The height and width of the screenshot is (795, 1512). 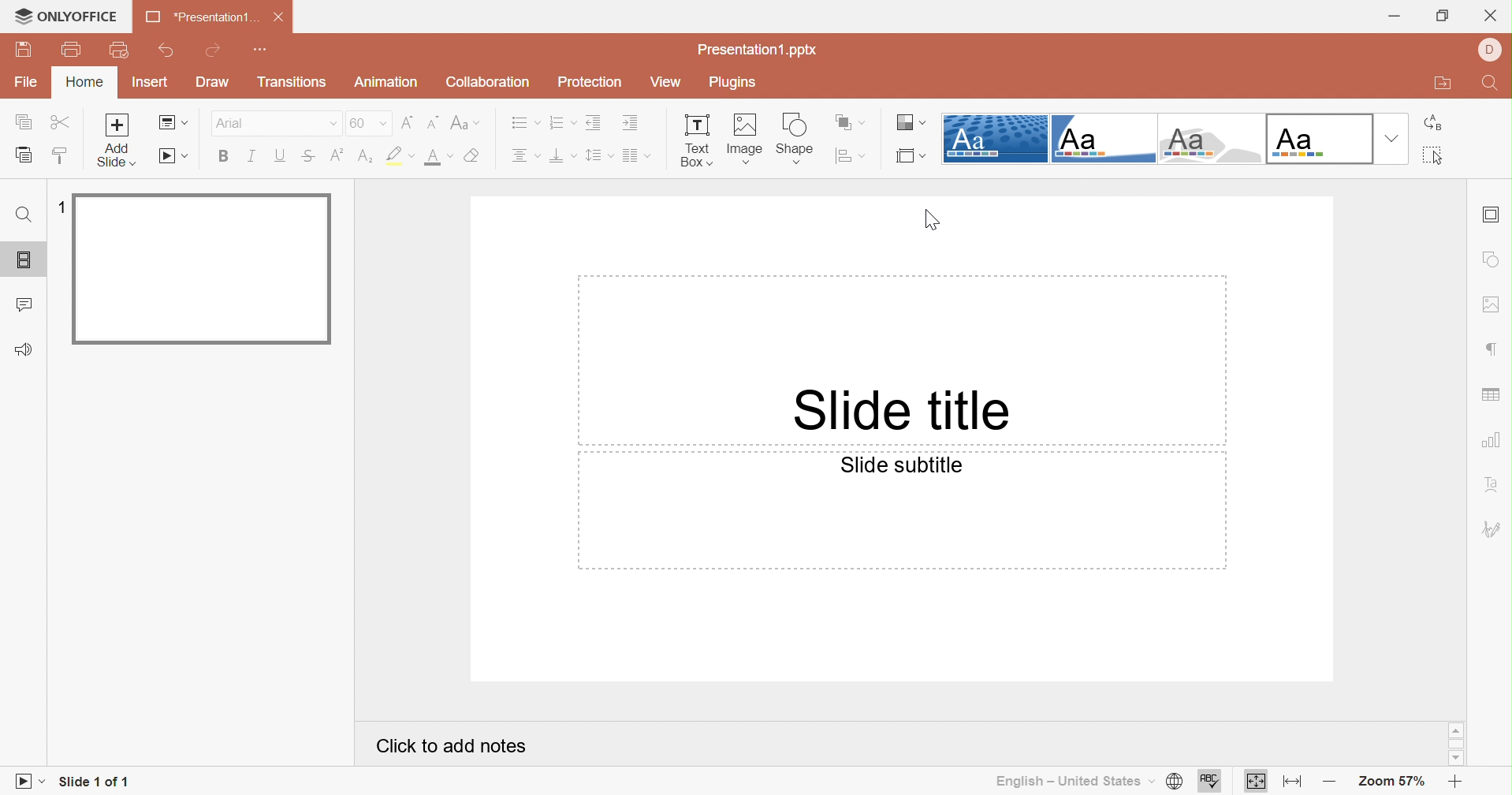 I want to click on Bullets, so click(x=522, y=121).